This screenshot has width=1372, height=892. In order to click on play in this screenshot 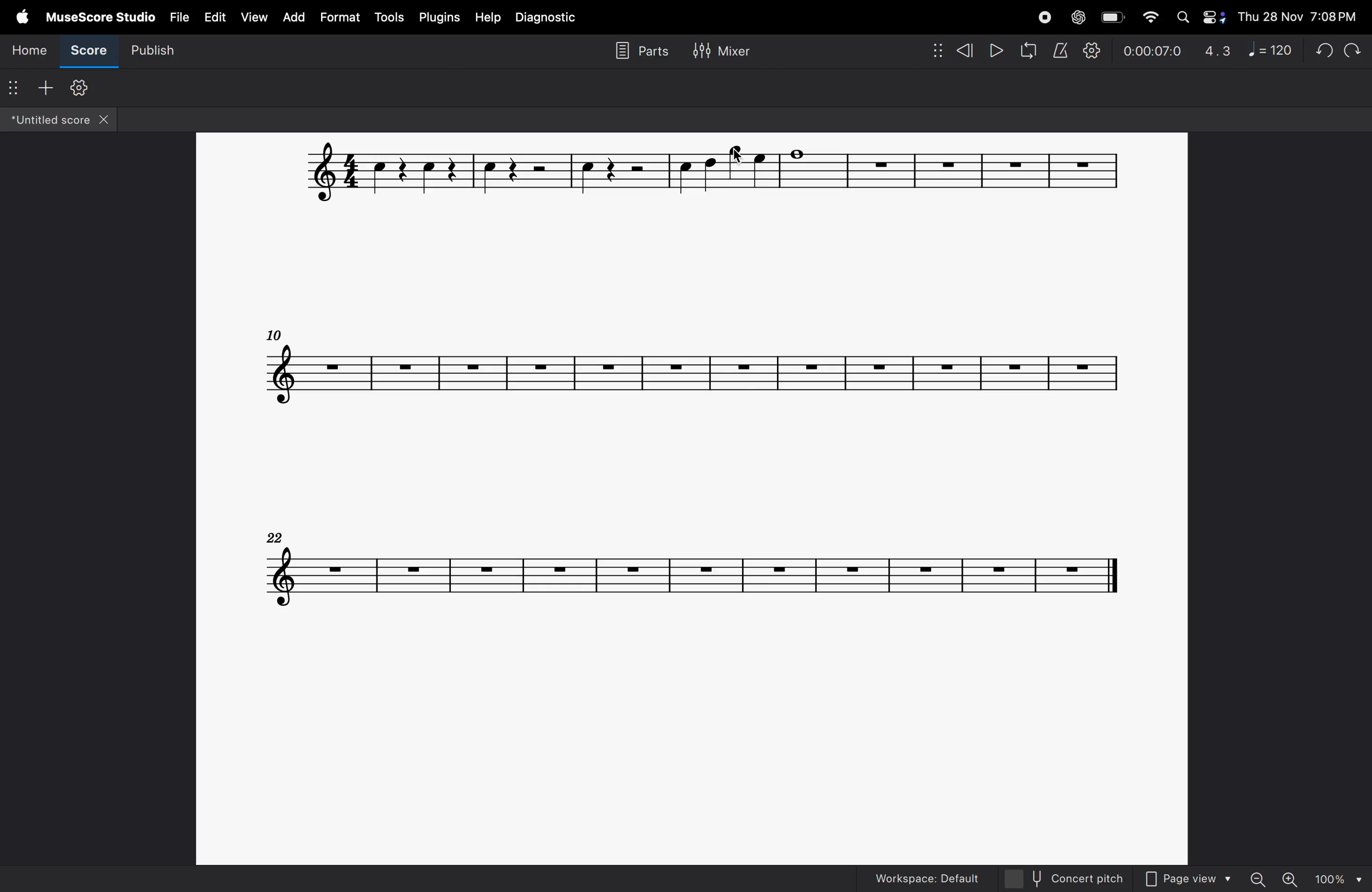, I will do `click(997, 52)`.